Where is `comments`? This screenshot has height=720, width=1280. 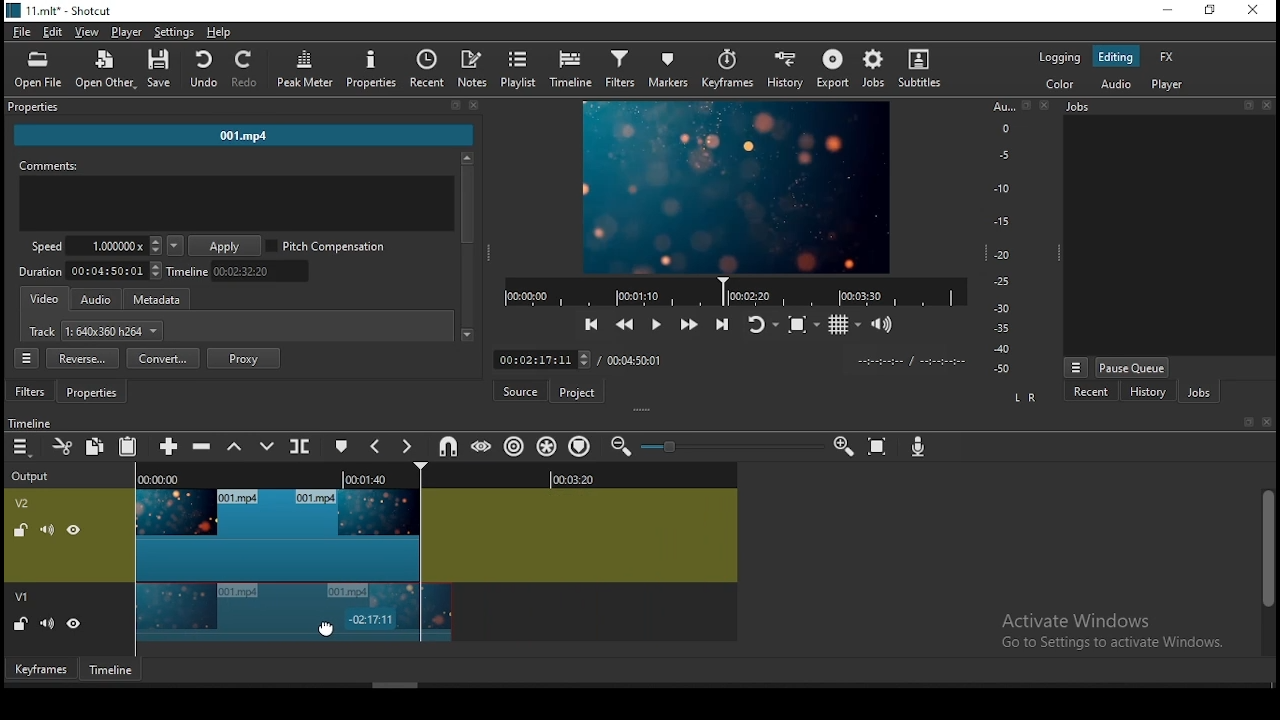
comments is located at coordinates (237, 198).